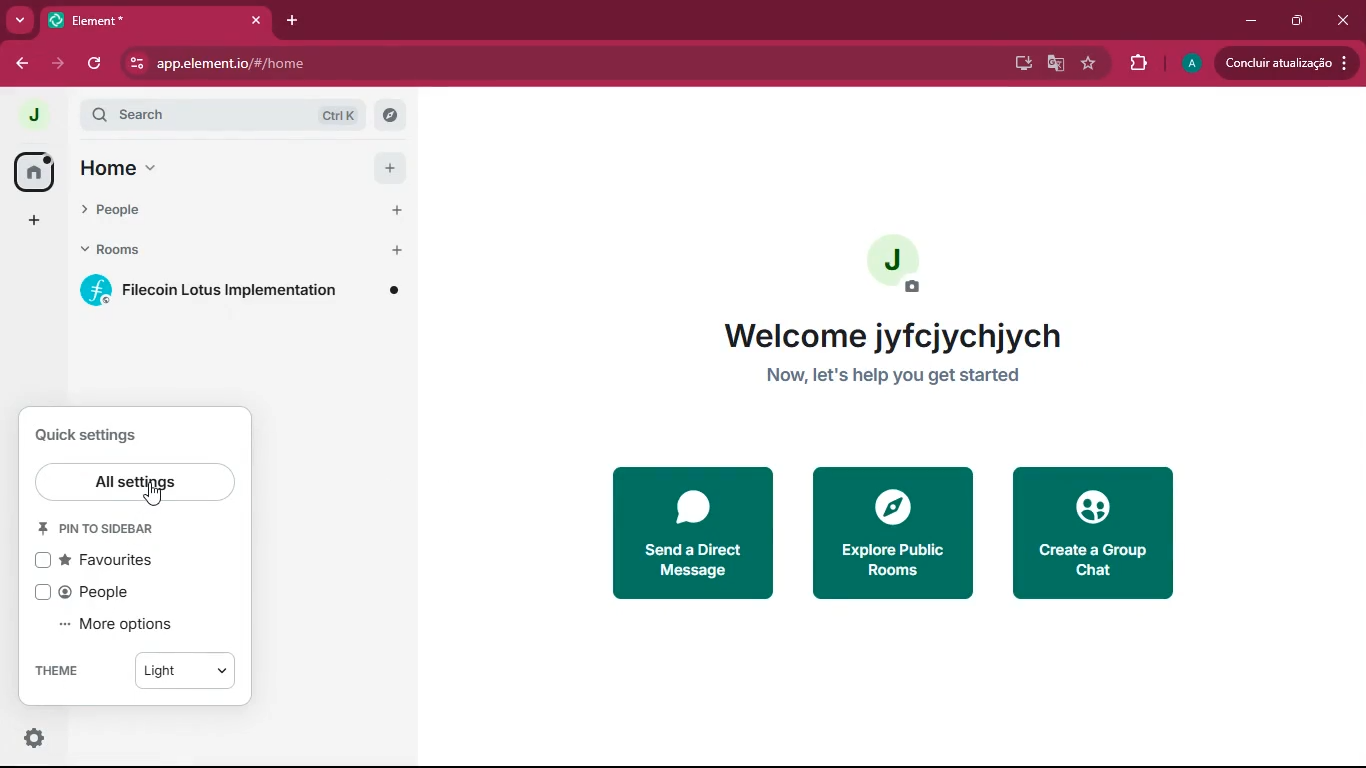 The image size is (1366, 768). What do you see at coordinates (34, 738) in the screenshot?
I see `quick settings` at bounding box center [34, 738].